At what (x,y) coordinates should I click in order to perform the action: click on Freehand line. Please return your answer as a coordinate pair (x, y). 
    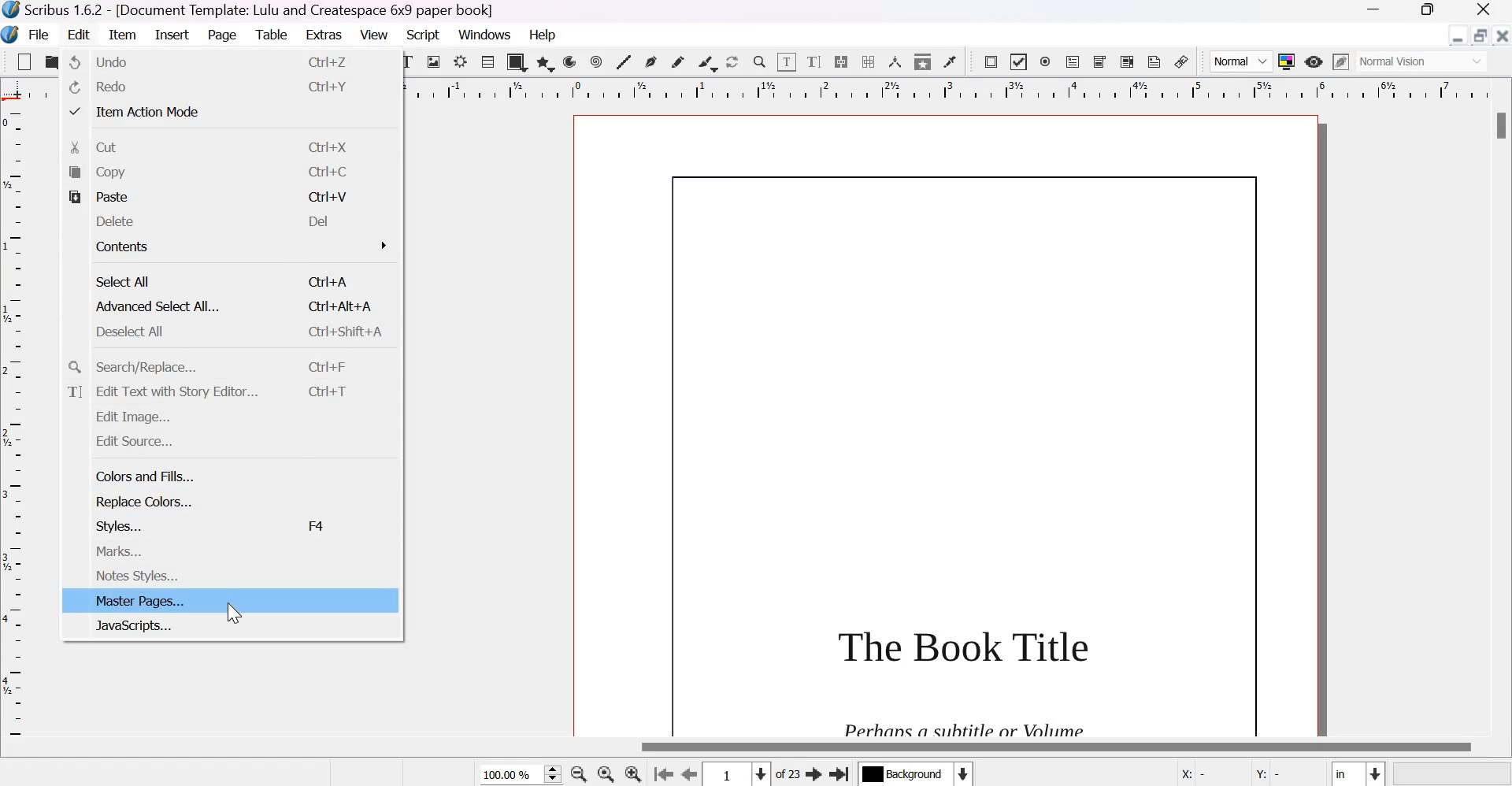
    Looking at the image, I should click on (679, 64).